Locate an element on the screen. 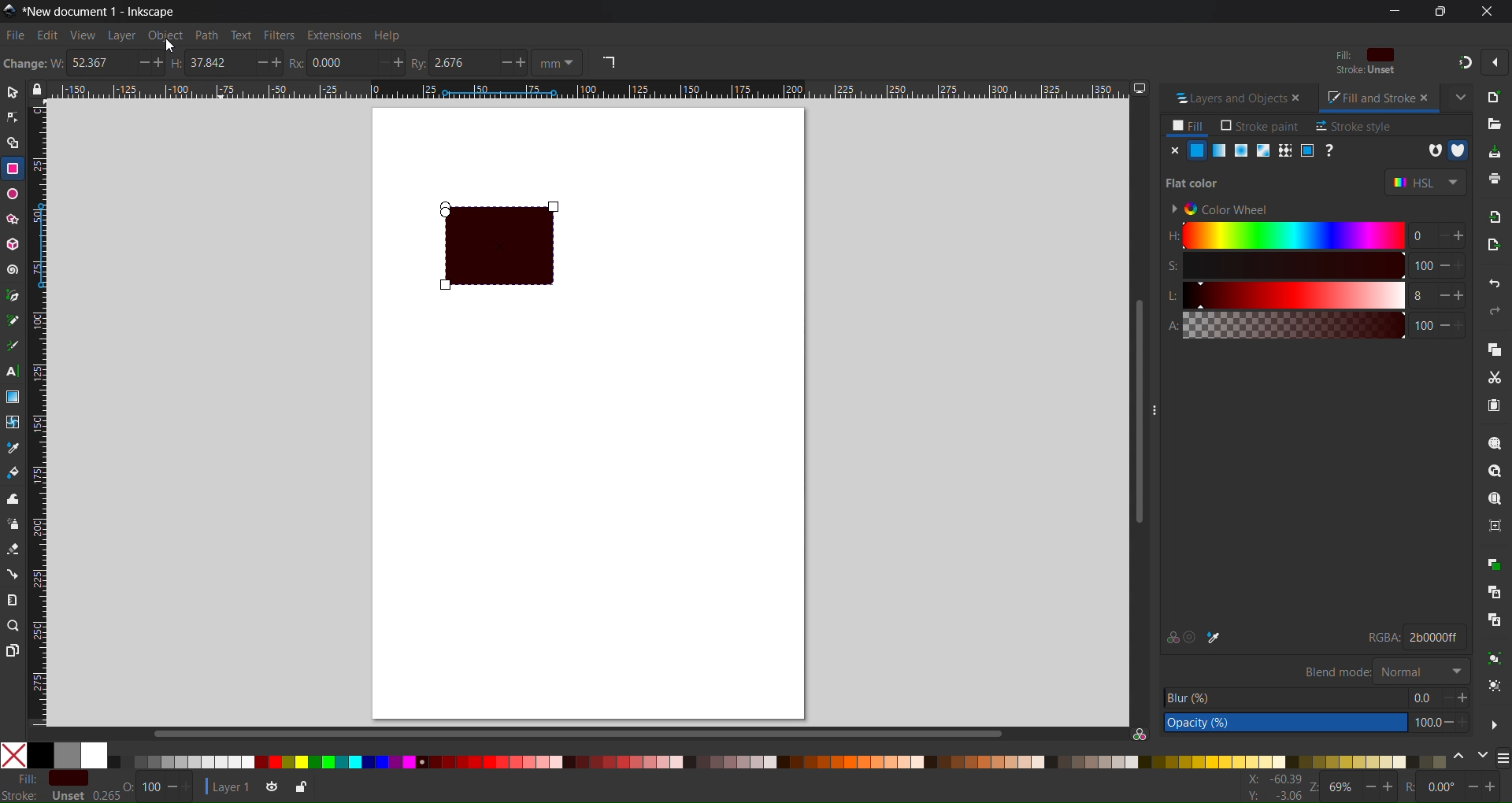 This screenshot has height=803, width=1512. blend mode is located at coordinates (1336, 671).